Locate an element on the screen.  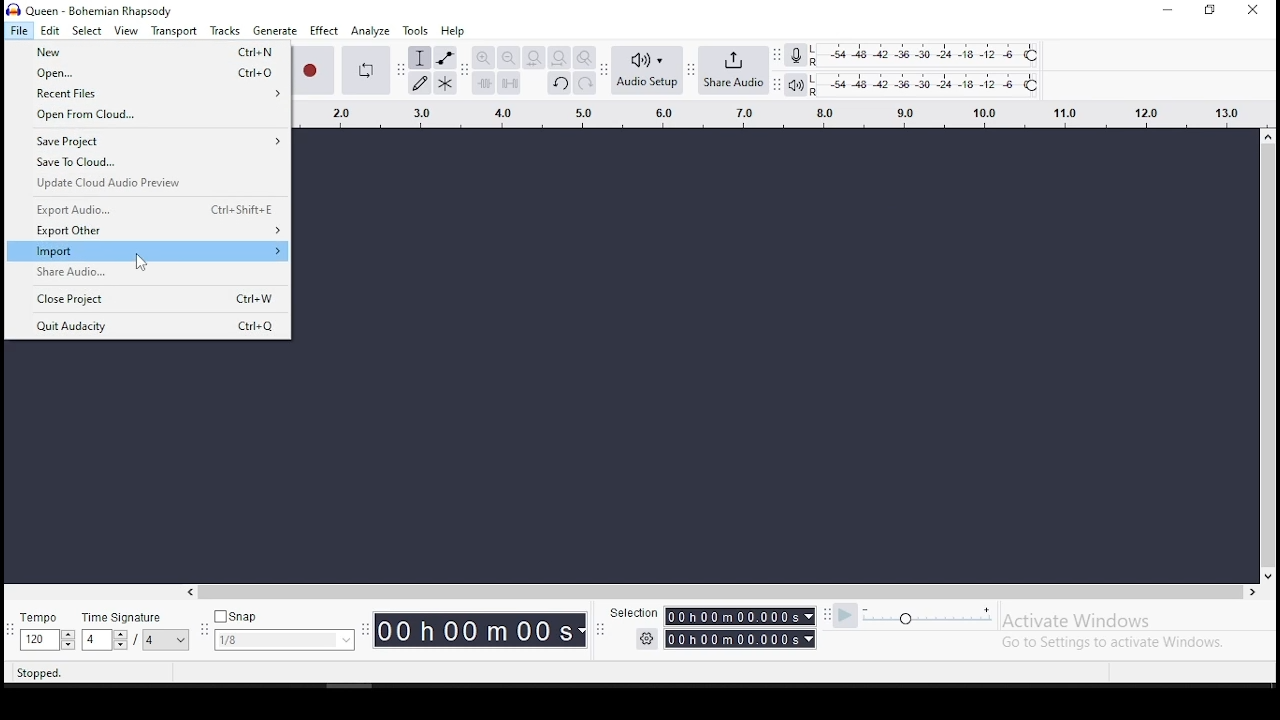
select is located at coordinates (87, 32).